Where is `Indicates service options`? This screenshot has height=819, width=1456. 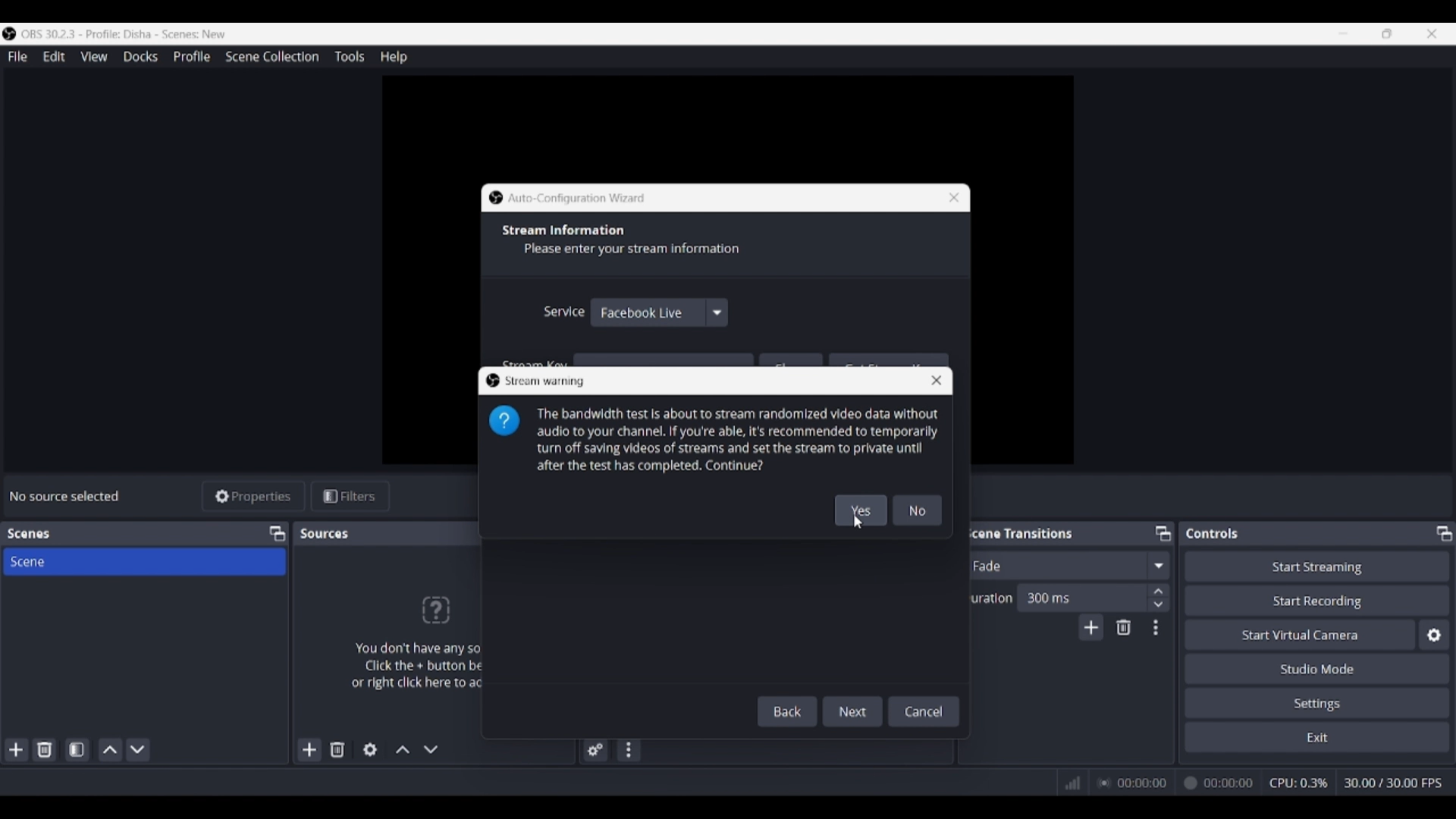
Indicates service options is located at coordinates (563, 311).